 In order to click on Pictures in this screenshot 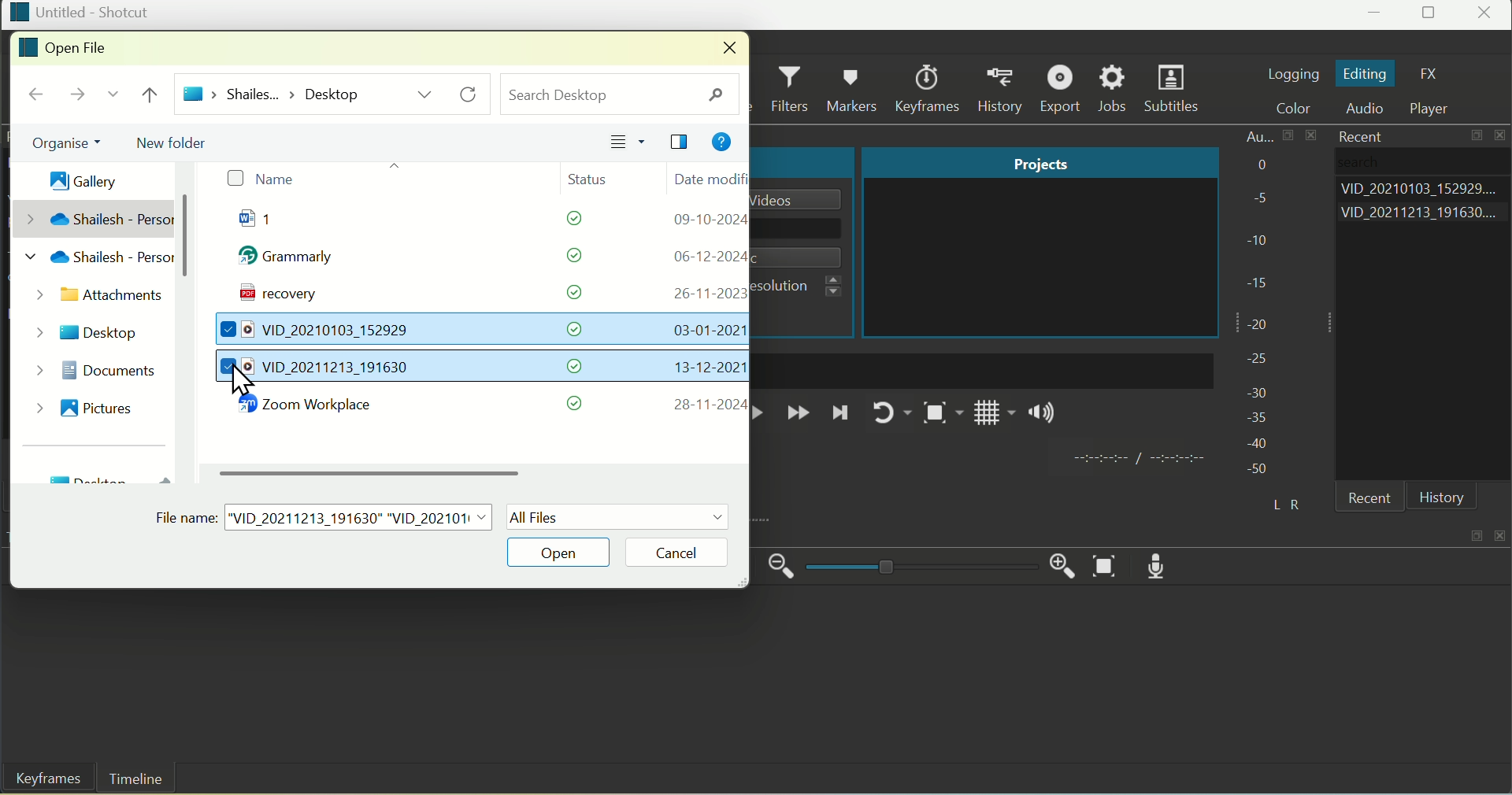, I will do `click(86, 405)`.